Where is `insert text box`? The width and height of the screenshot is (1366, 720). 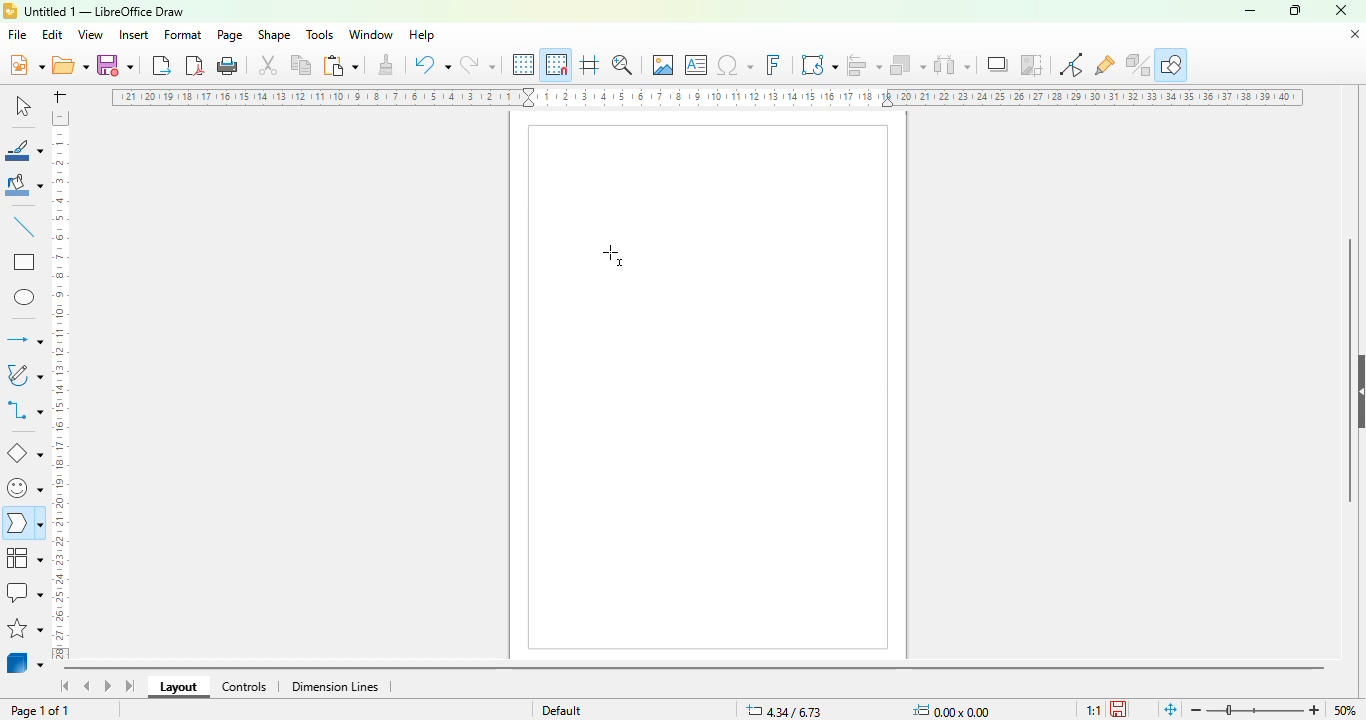
insert text box is located at coordinates (697, 65).